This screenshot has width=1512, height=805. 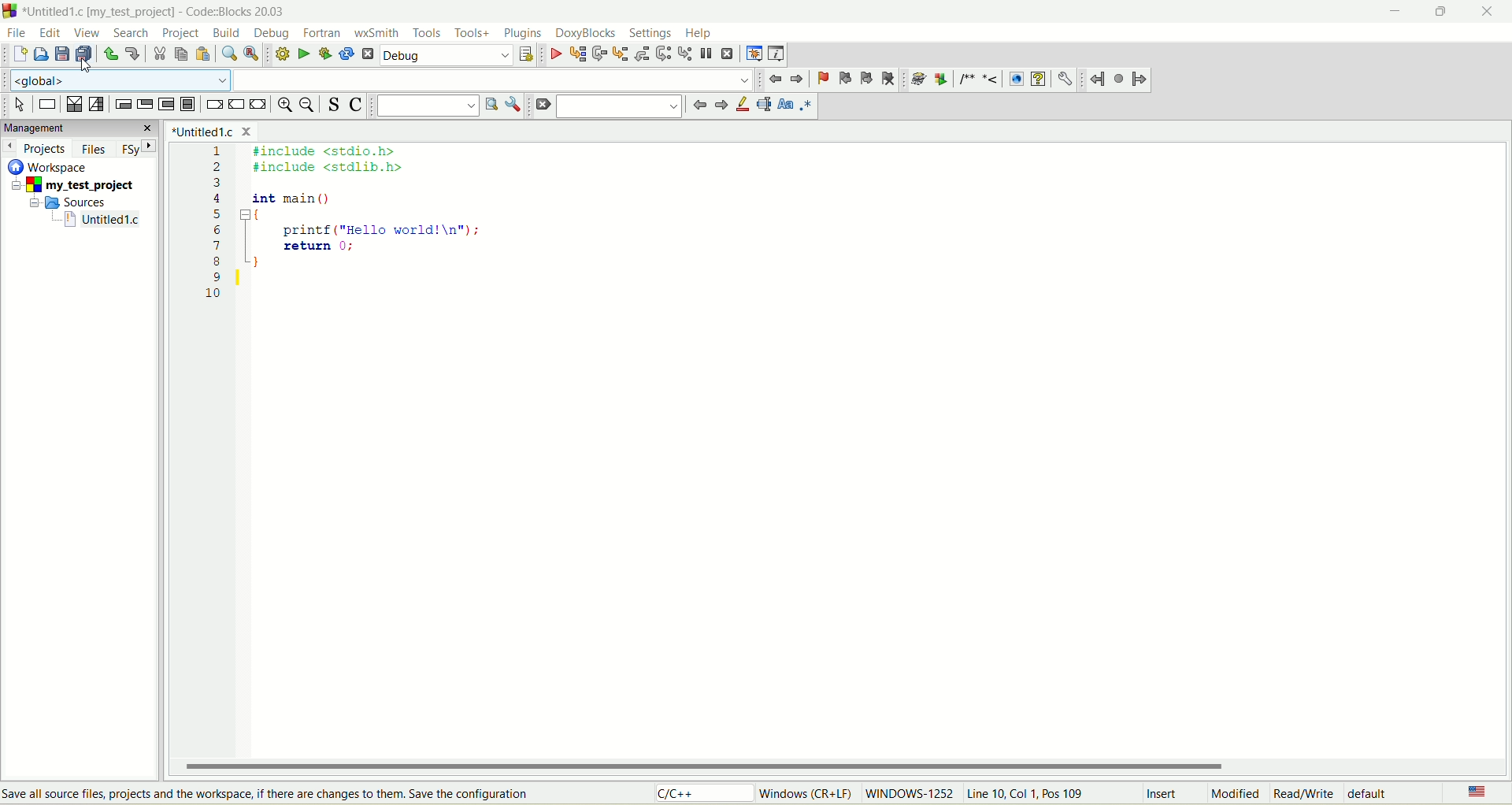 I want to click on debug, so click(x=267, y=34).